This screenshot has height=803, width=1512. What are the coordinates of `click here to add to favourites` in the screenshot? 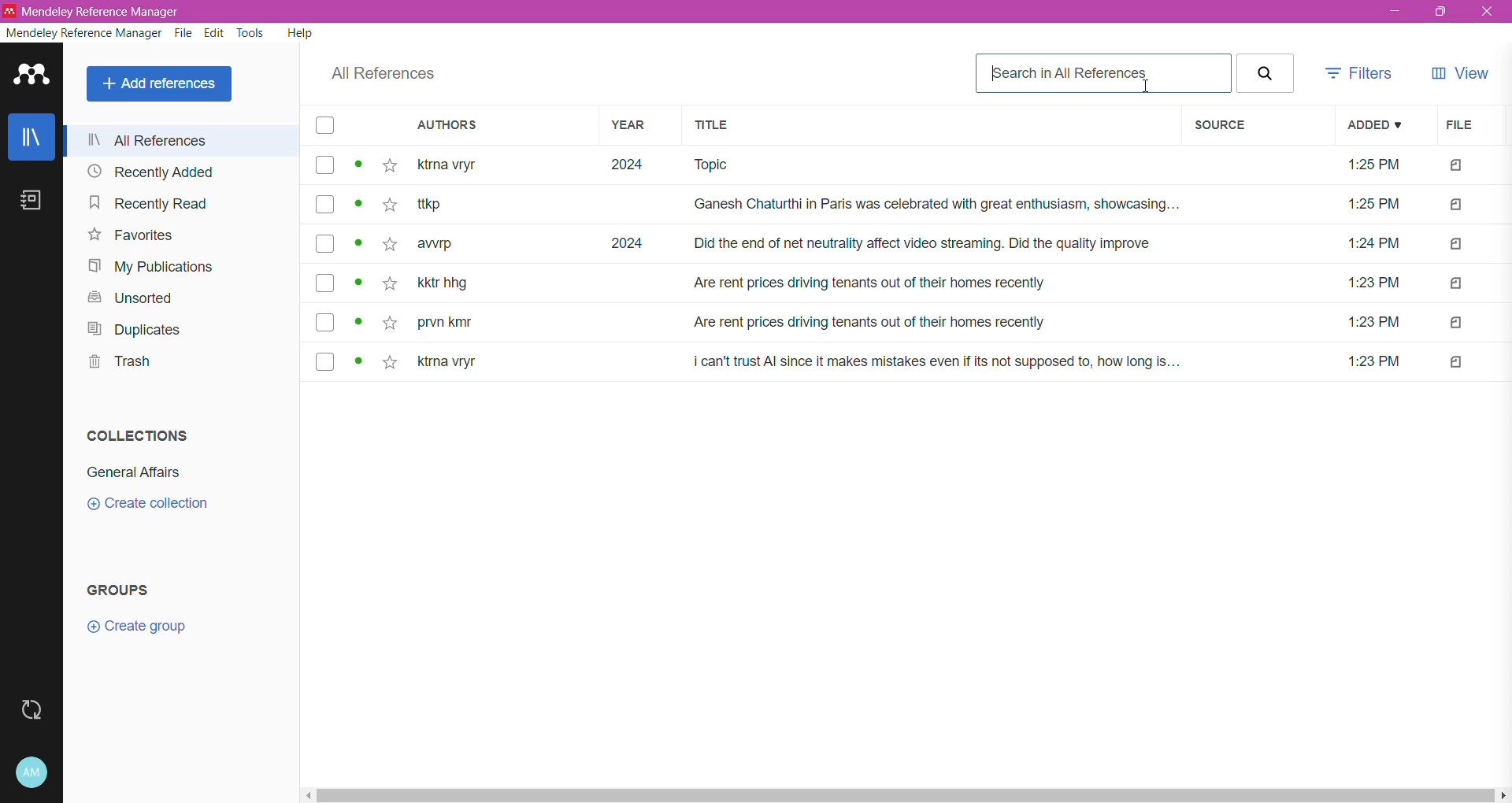 It's located at (393, 362).